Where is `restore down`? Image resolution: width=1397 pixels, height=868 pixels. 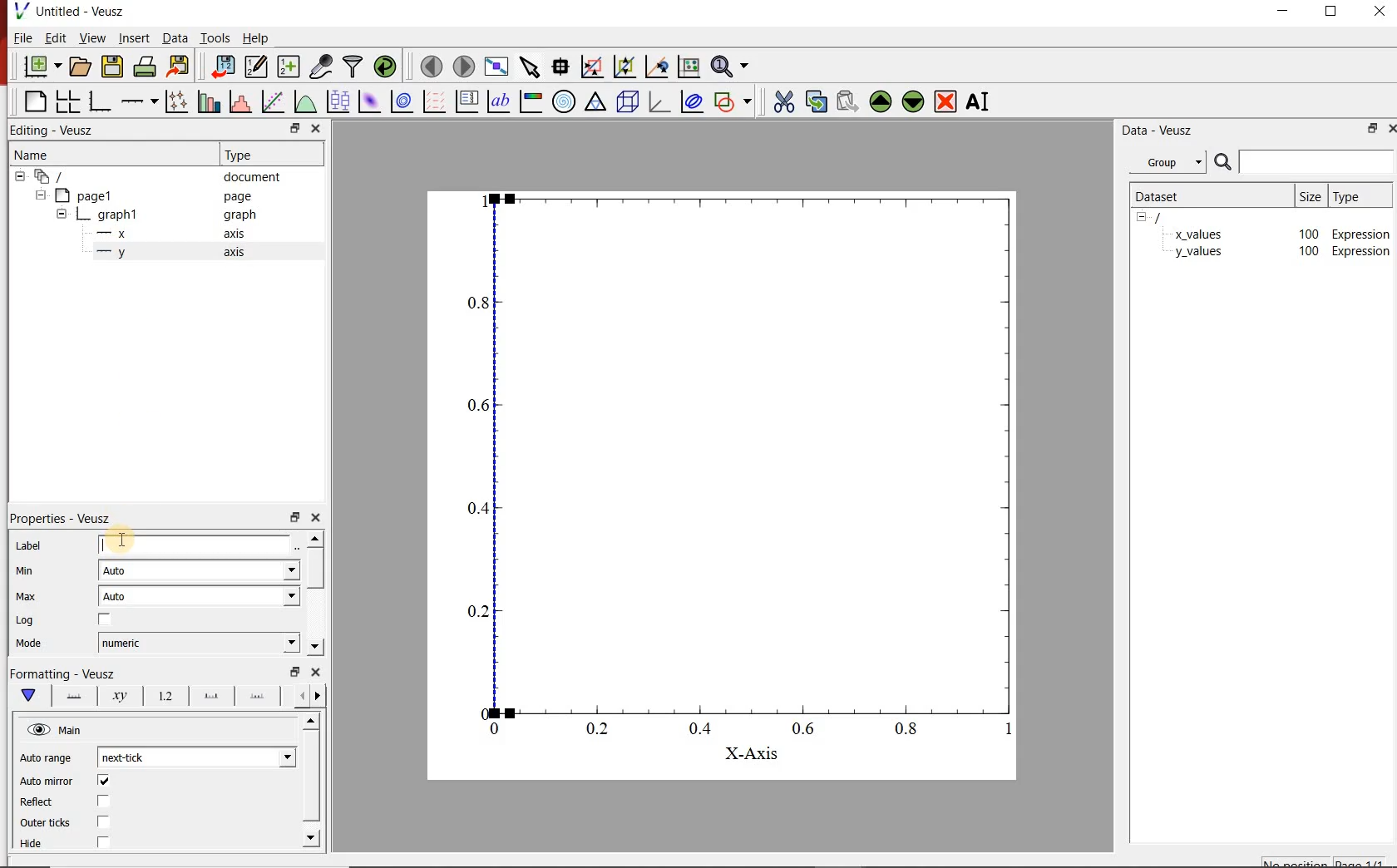 restore down is located at coordinates (1330, 12).